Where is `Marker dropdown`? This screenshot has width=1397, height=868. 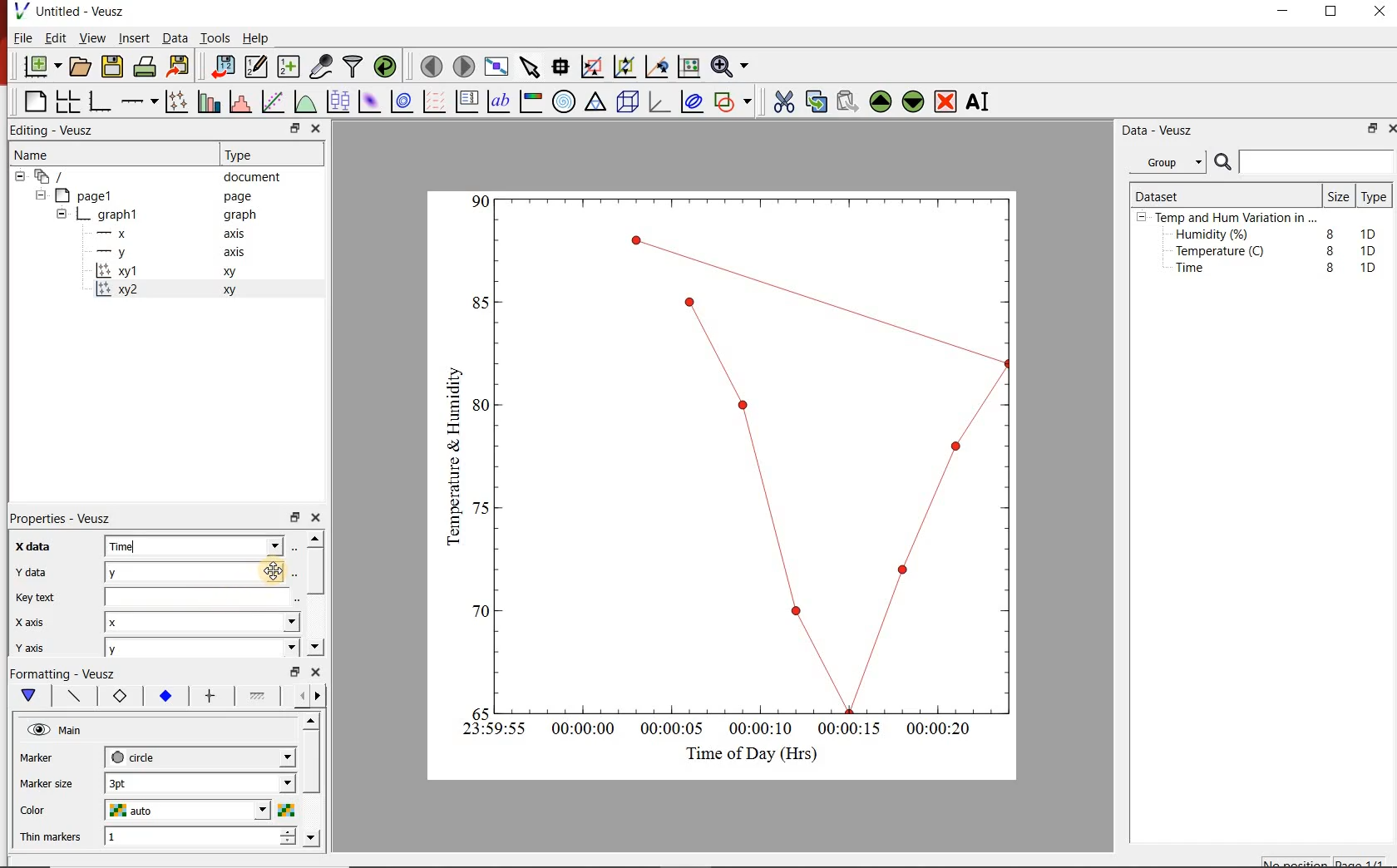
Marker dropdown is located at coordinates (262, 757).